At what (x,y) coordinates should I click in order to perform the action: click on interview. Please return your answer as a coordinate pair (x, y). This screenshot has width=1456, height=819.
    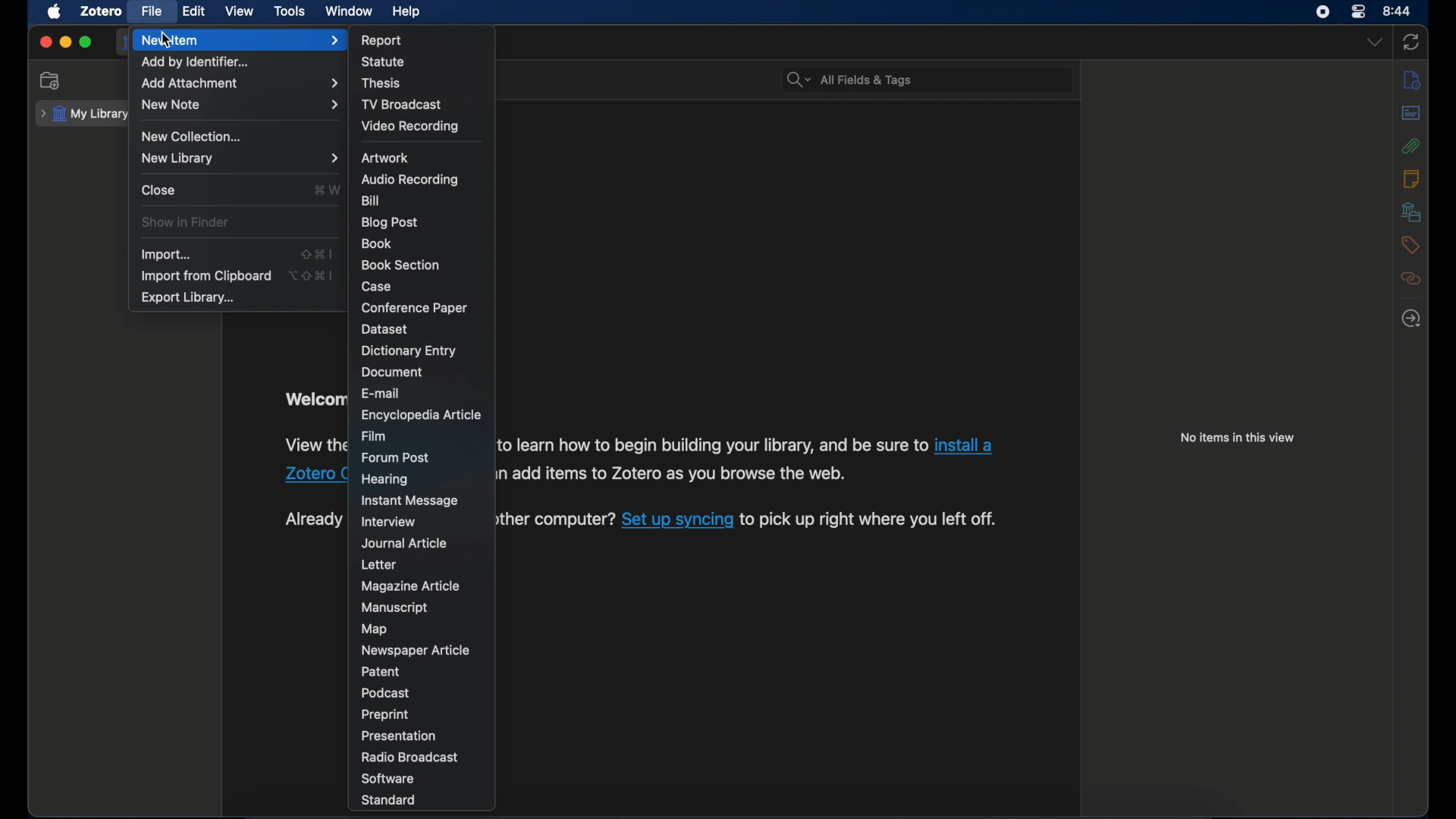
    Looking at the image, I should click on (388, 522).